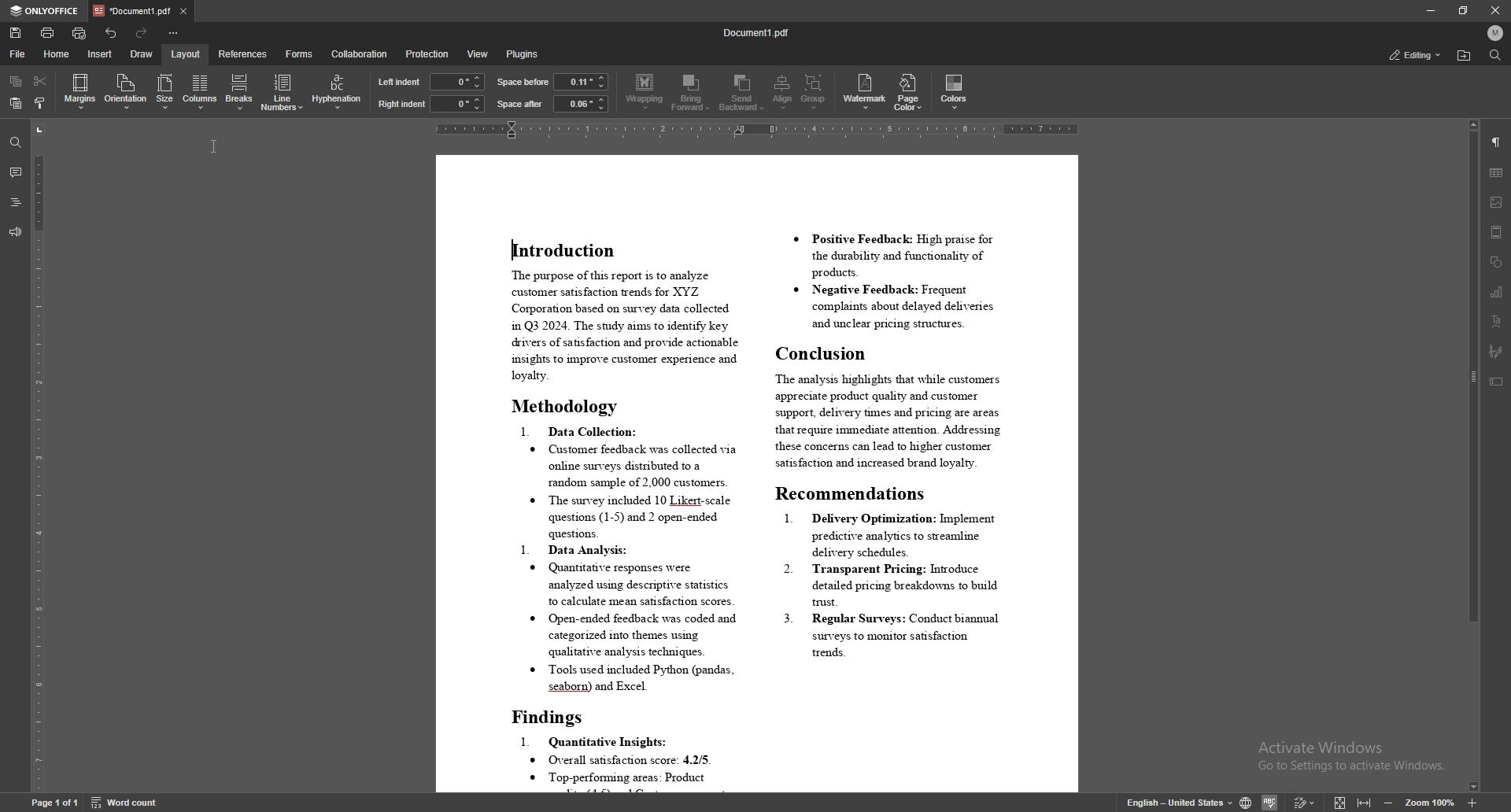  What do you see at coordinates (815, 93) in the screenshot?
I see `group` at bounding box center [815, 93].